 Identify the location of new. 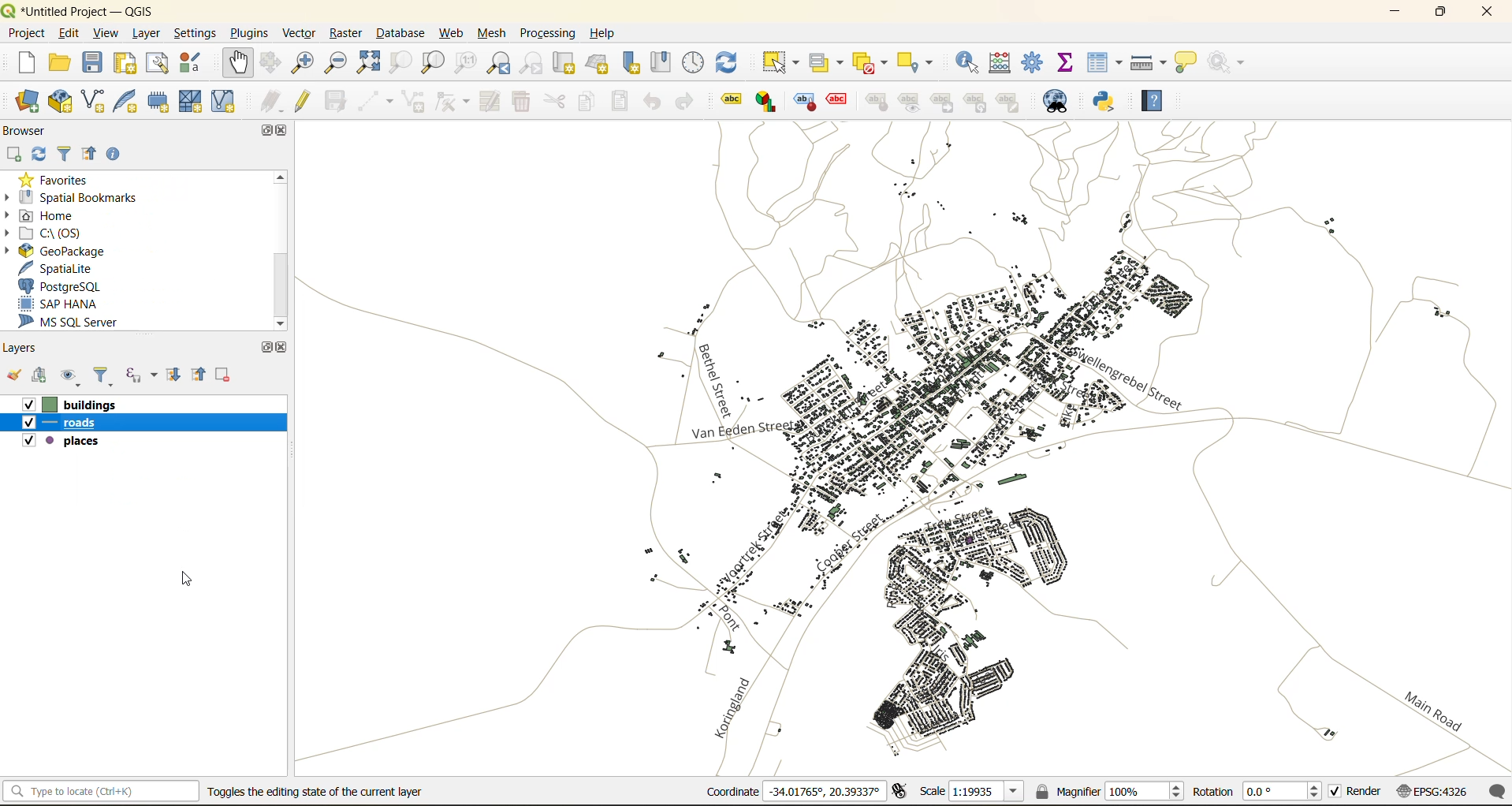
(23, 62).